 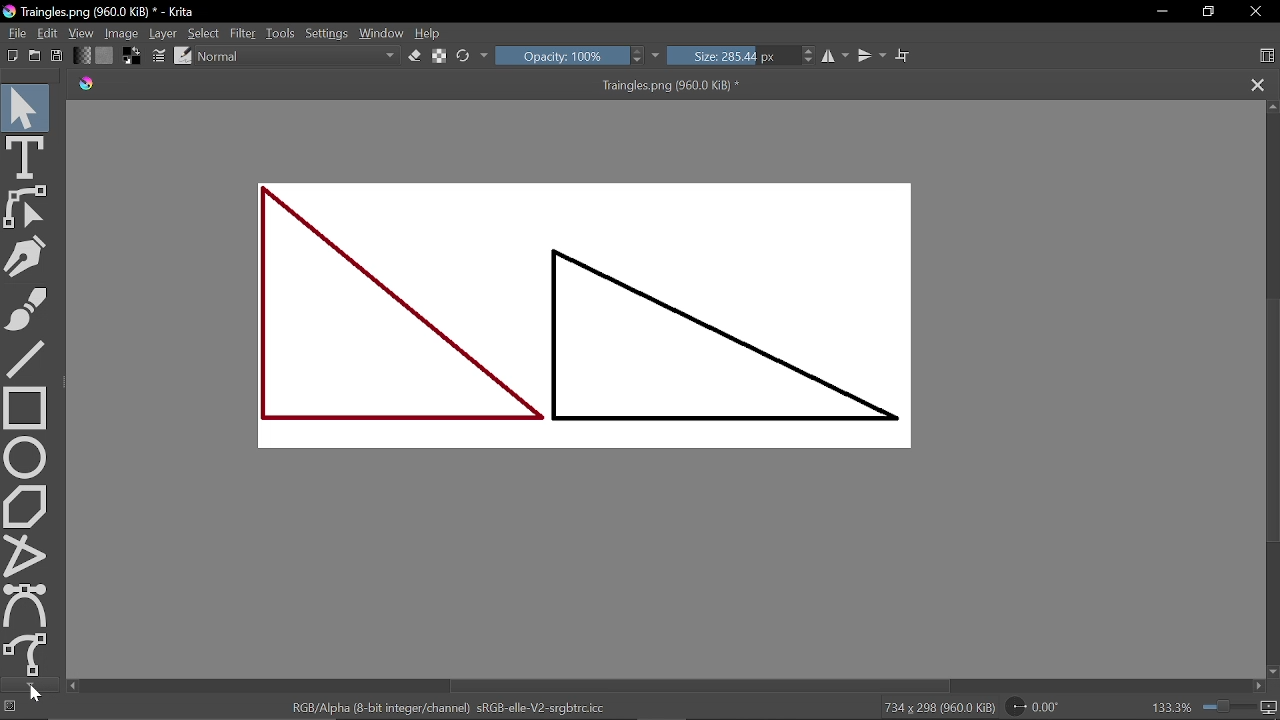 What do you see at coordinates (130, 56) in the screenshot?
I see `Foreground color` at bounding box center [130, 56].